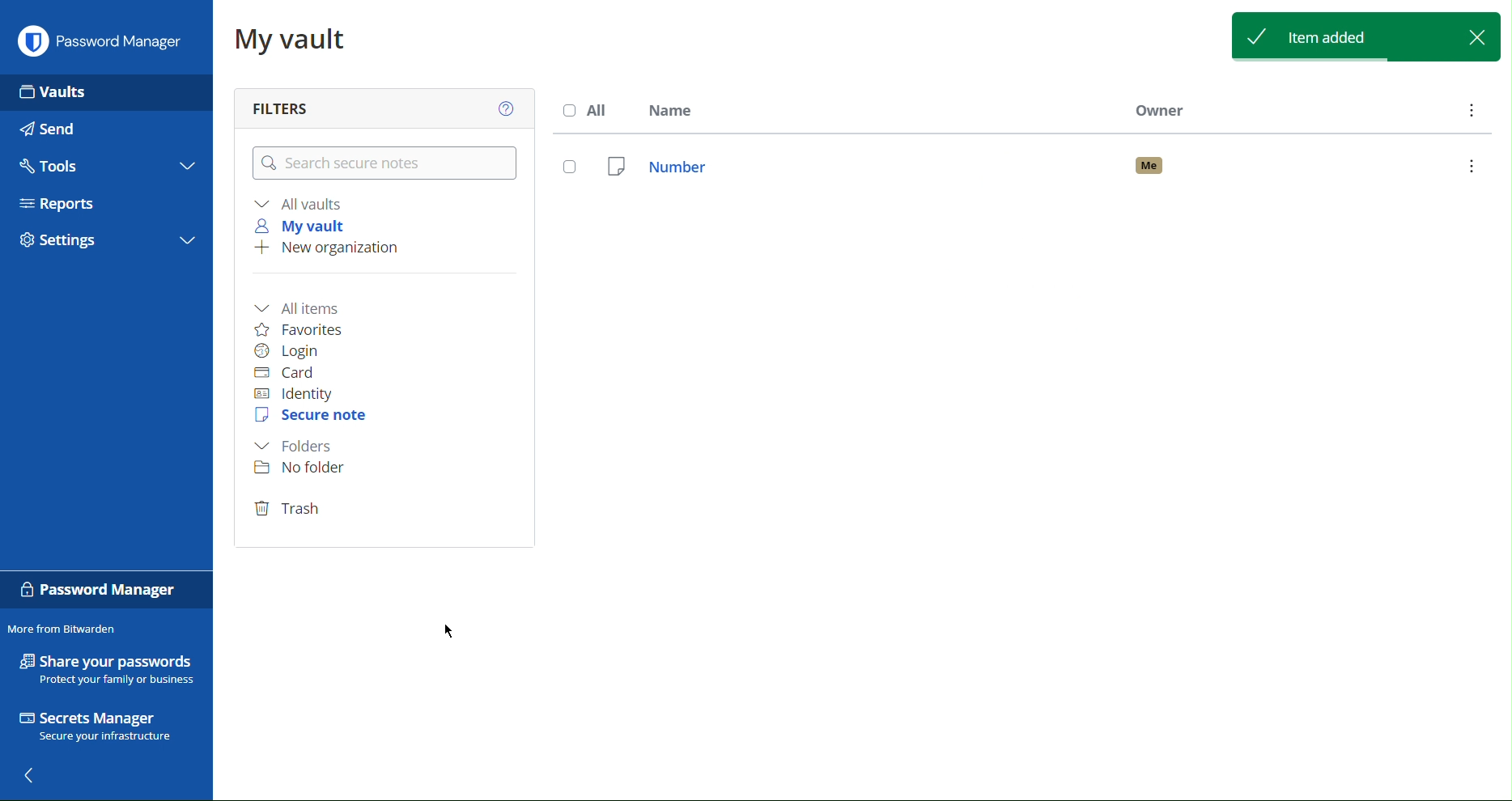 This screenshot has height=801, width=1512. What do you see at coordinates (306, 418) in the screenshot?
I see `Secure Note` at bounding box center [306, 418].